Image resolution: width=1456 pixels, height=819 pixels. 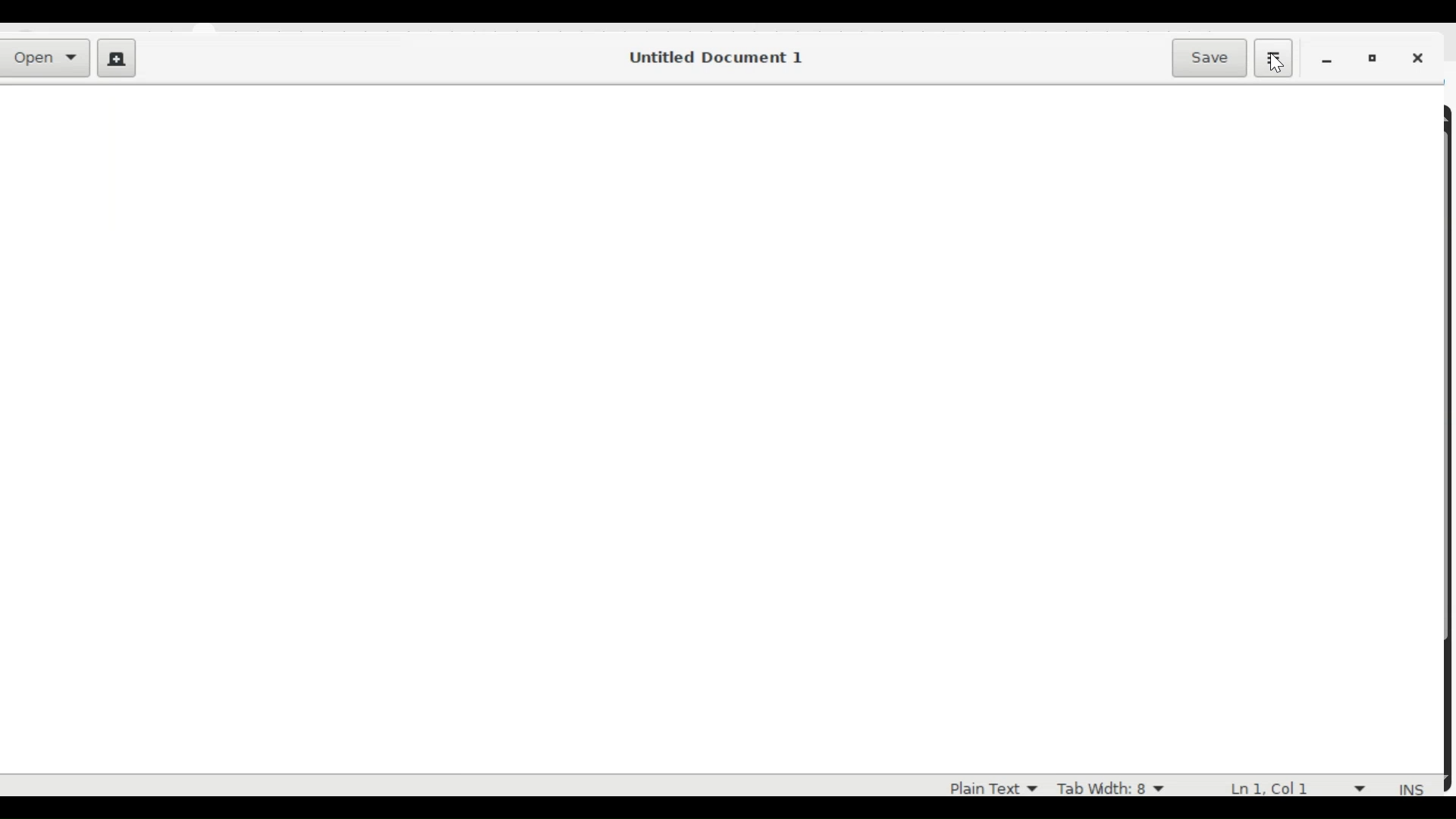 What do you see at coordinates (1413, 789) in the screenshot?
I see `INS` at bounding box center [1413, 789].